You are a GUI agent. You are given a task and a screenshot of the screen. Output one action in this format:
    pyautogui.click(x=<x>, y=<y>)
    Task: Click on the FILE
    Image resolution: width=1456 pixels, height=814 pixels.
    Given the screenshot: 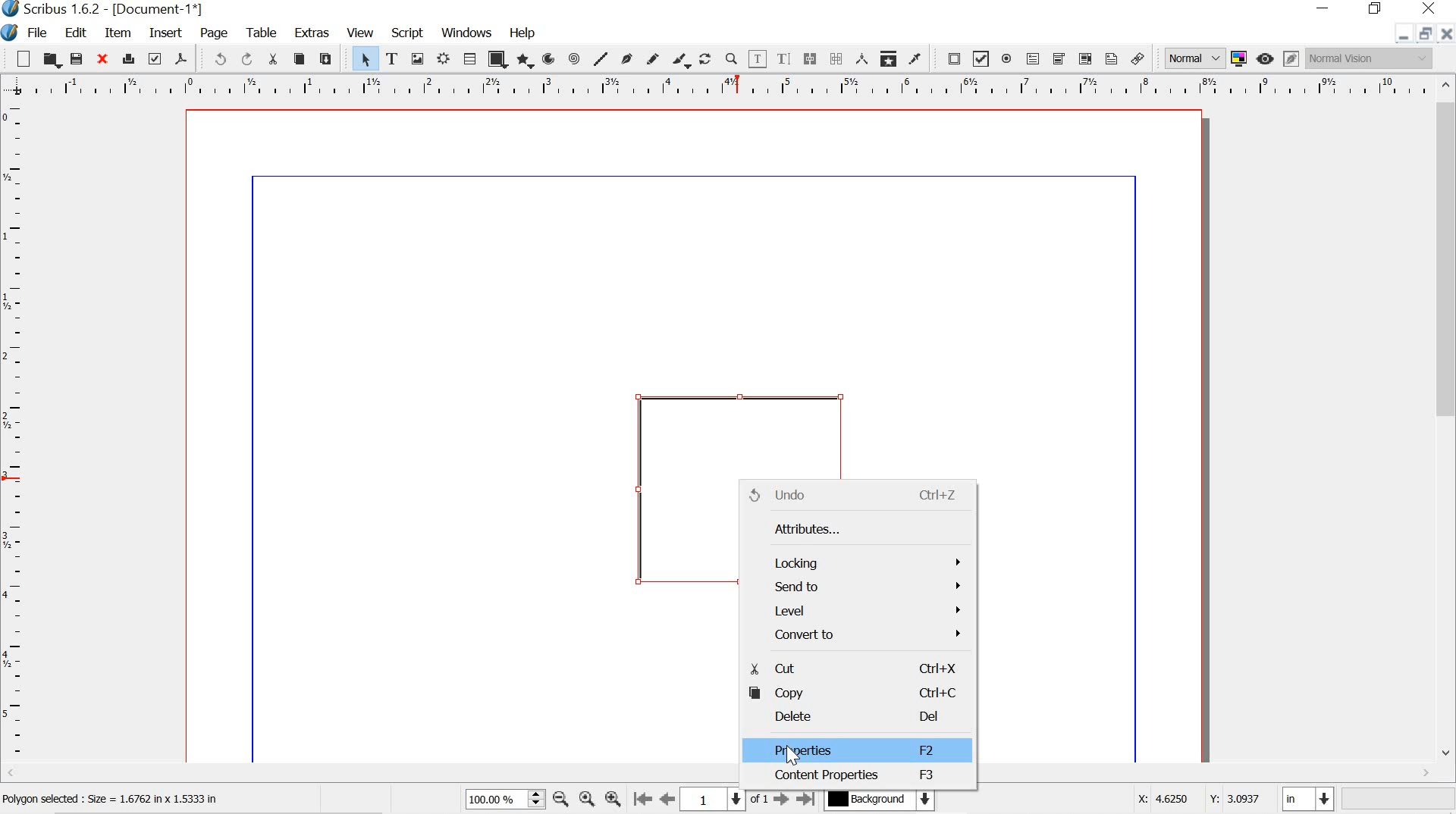 What is the action you would take?
    pyautogui.click(x=40, y=33)
    